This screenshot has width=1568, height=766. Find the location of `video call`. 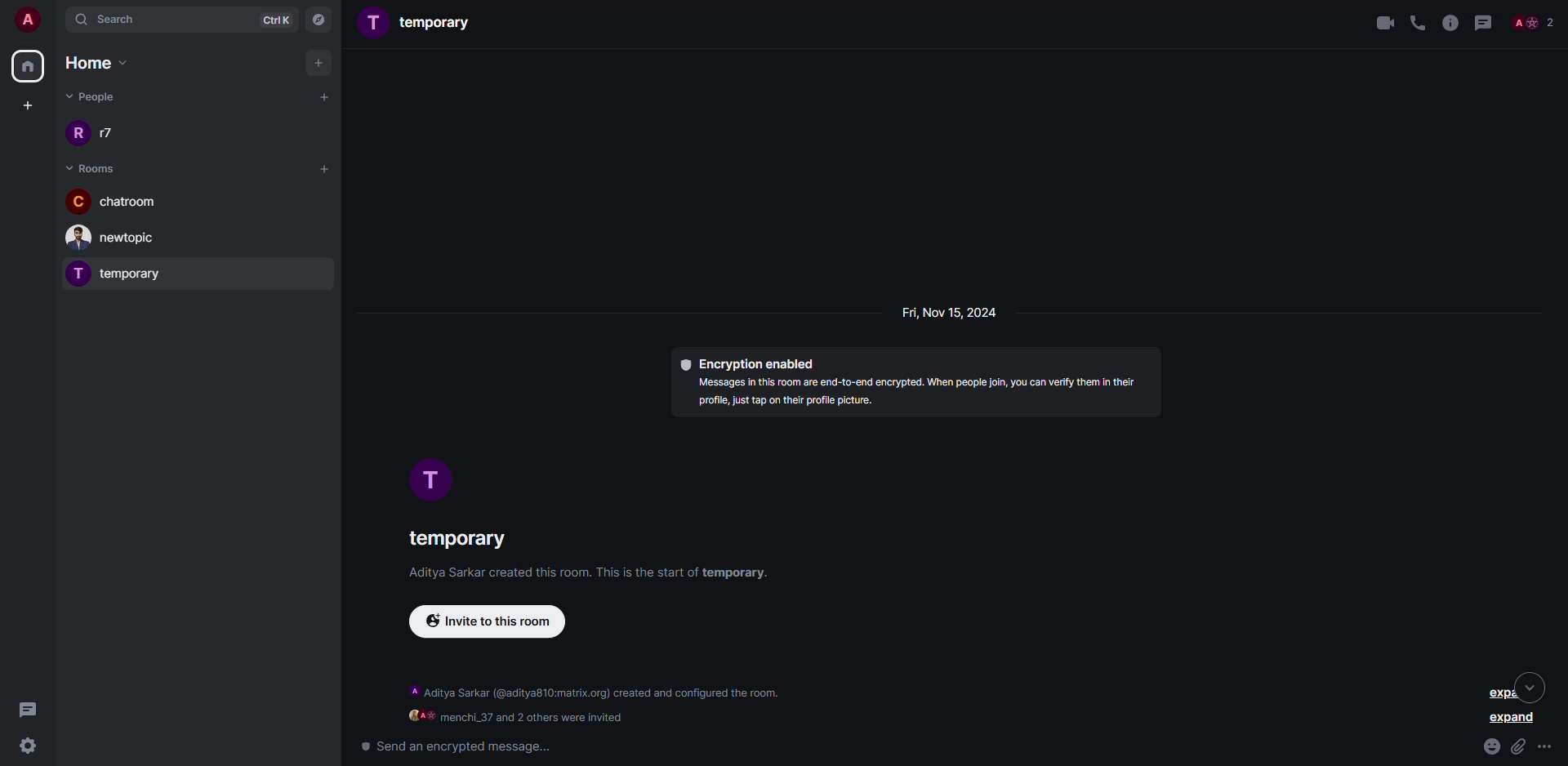

video call is located at coordinates (1378, 21).